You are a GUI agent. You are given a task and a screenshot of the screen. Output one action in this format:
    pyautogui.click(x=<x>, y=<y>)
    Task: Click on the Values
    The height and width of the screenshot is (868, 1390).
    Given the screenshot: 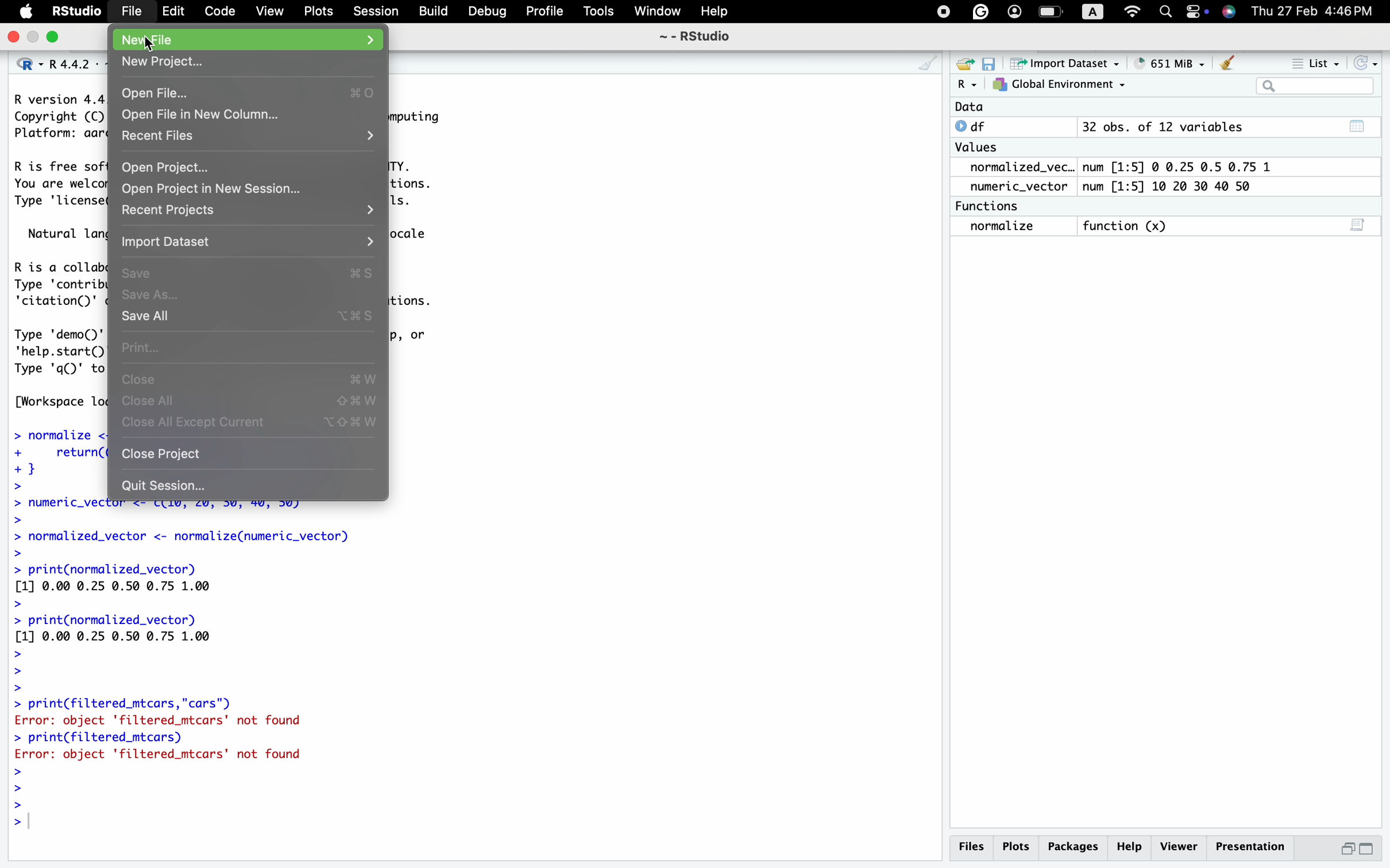 What is the action you would take?
    pyautogui.click(x=983, y=147)
    